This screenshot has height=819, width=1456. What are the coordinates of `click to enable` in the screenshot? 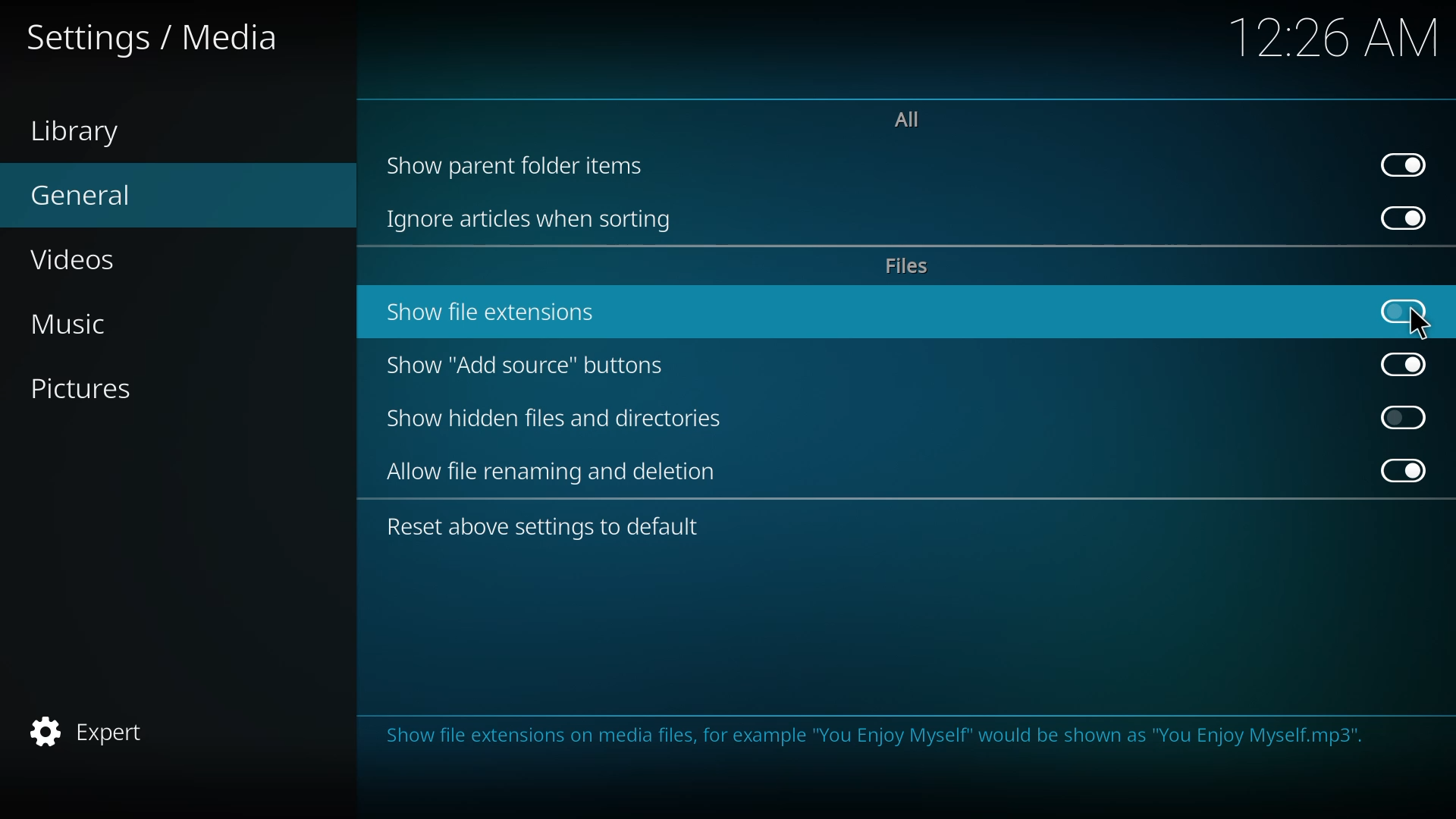 It's located at (1404, 415).